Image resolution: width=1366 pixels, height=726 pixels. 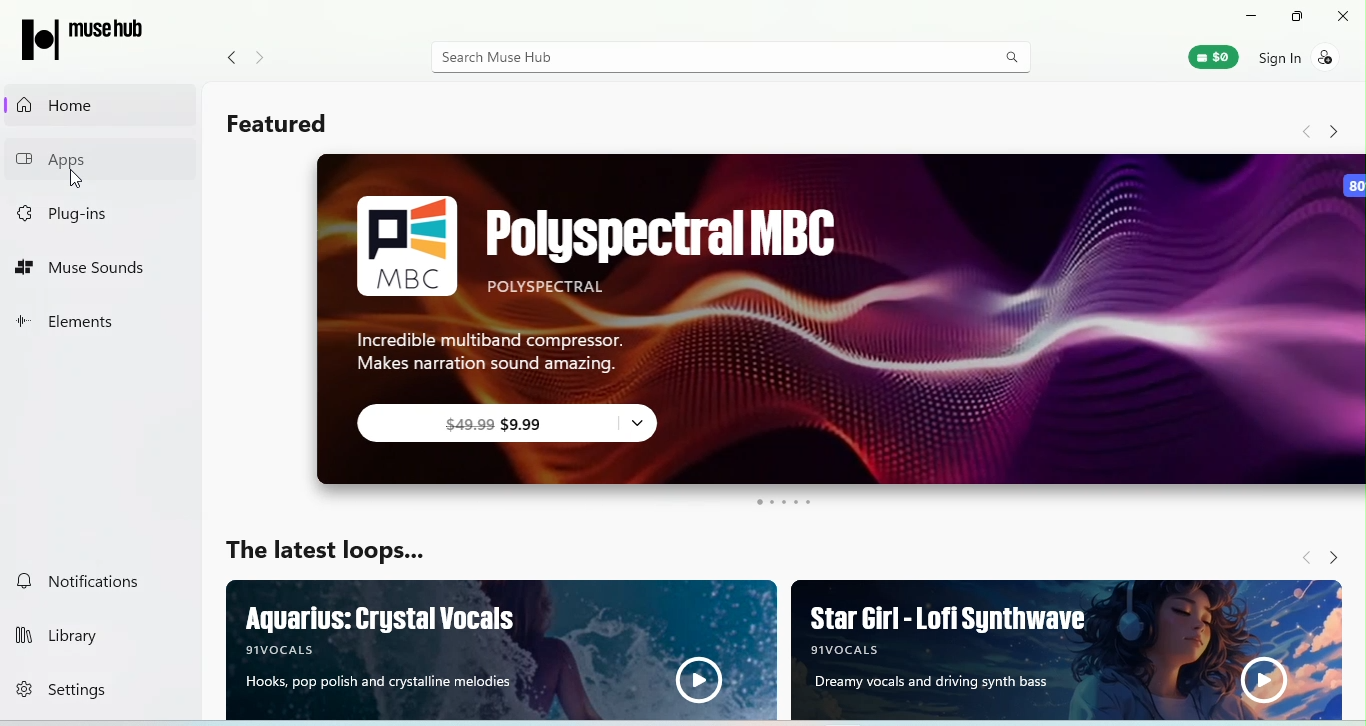 What do you see at coordinates (1354, 185) in the screenshot?
I see `80` at bounding box center [1354, 185].